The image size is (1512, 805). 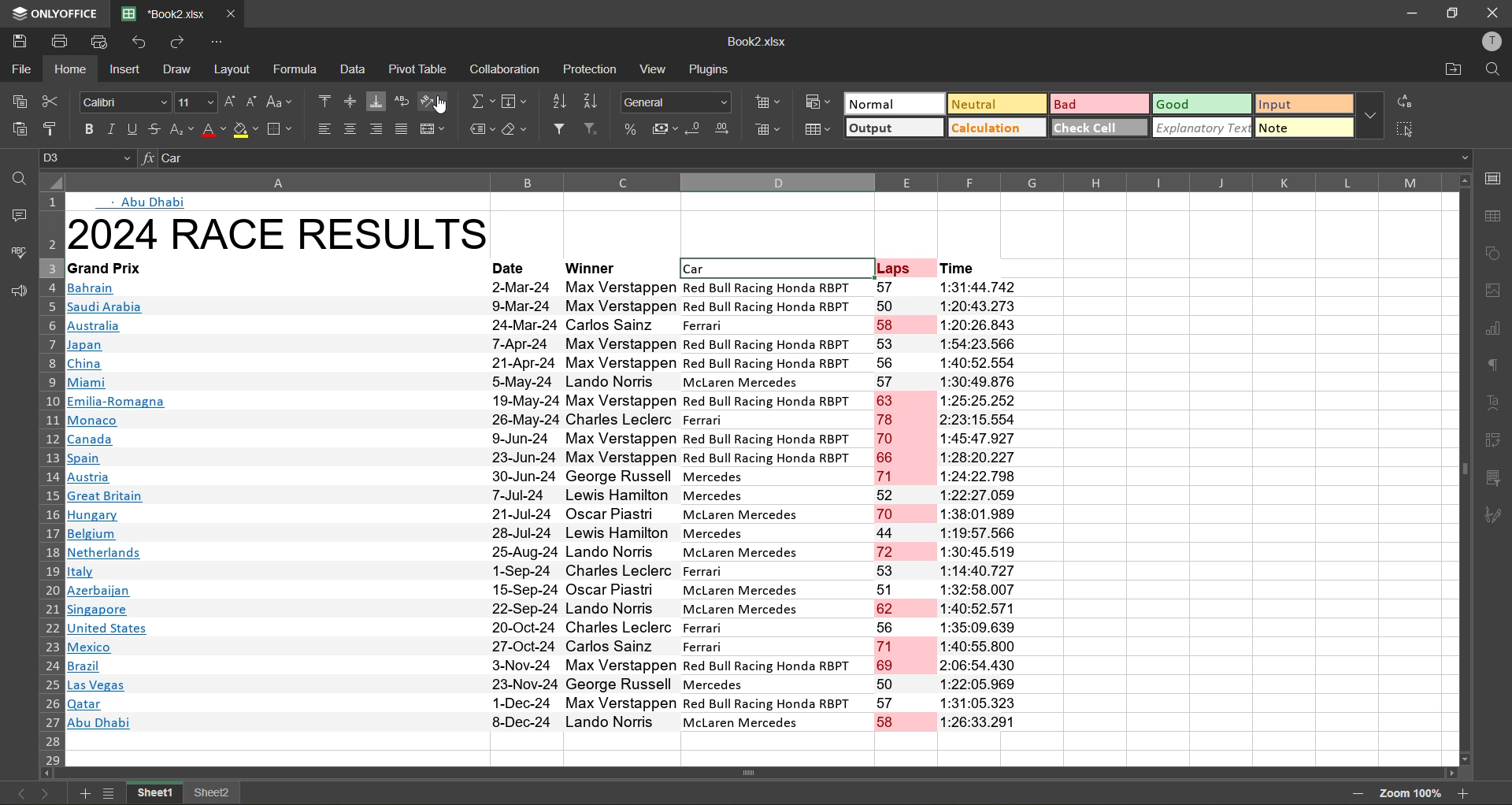 I want to click on calculation, so click(x=991, y=130).